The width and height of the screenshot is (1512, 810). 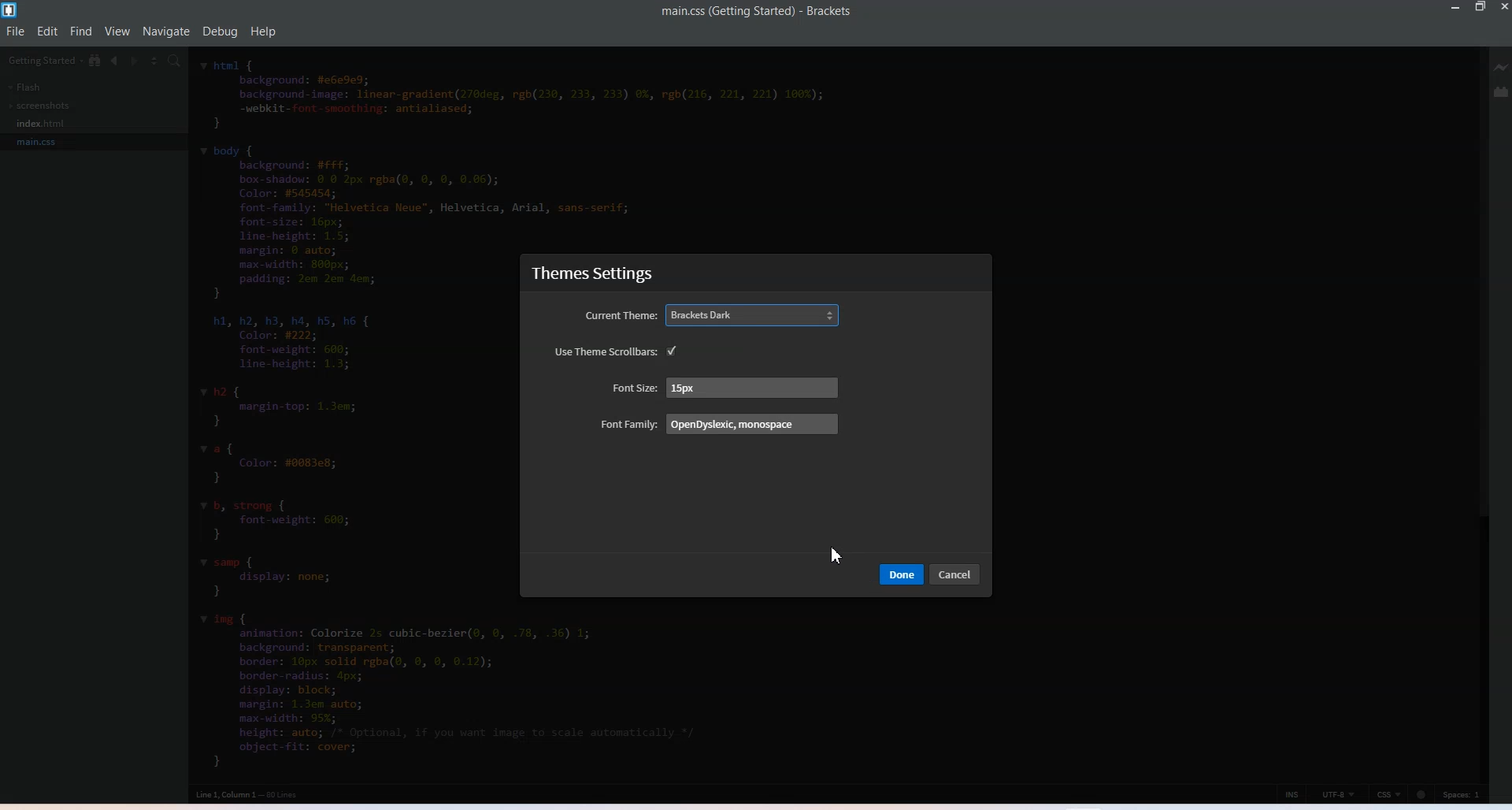 I want to click on Vertical scroll bar, so click(x=1480, y=412).